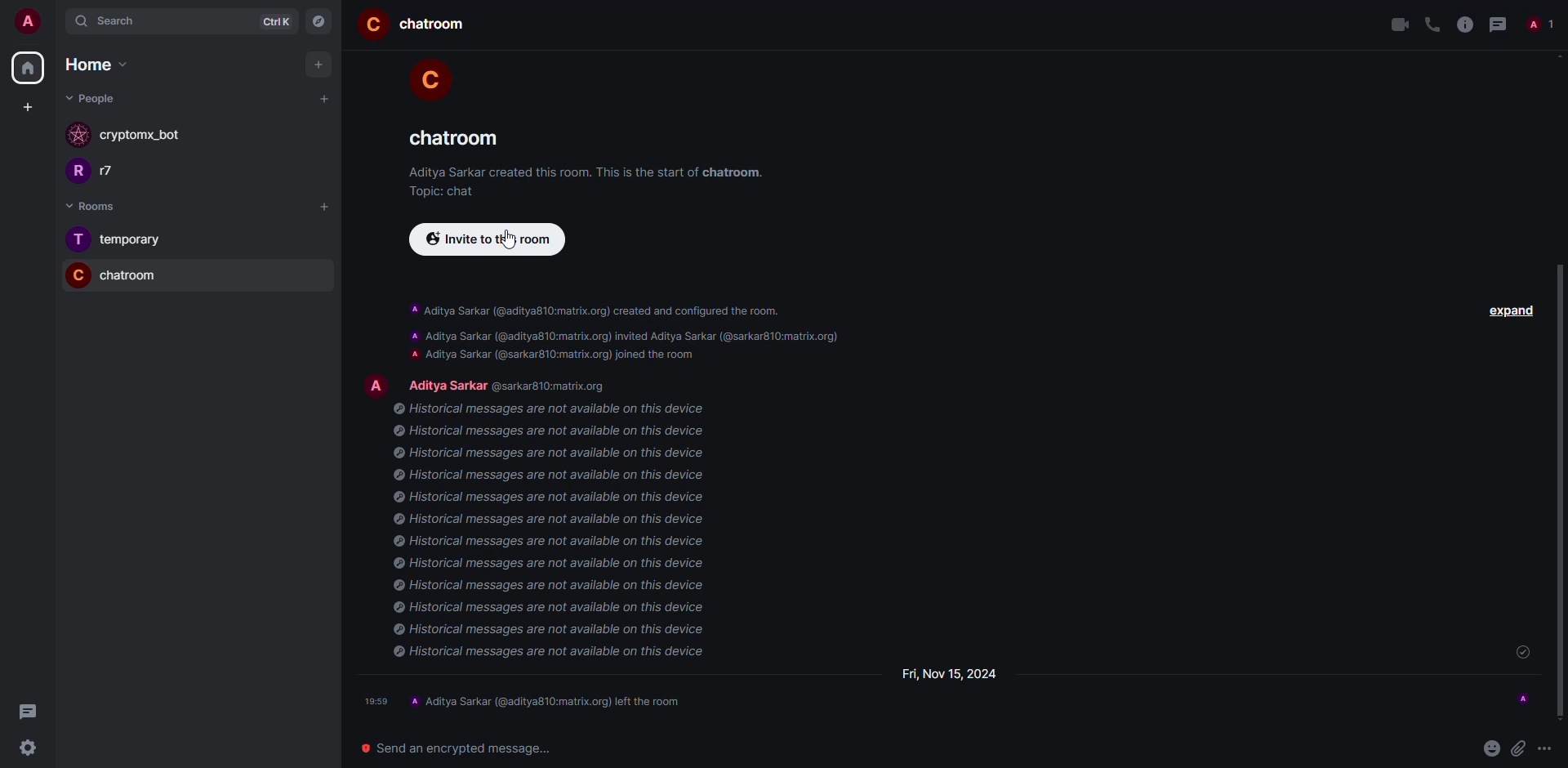  I want to click on scroll bar, so click(1570, 495).